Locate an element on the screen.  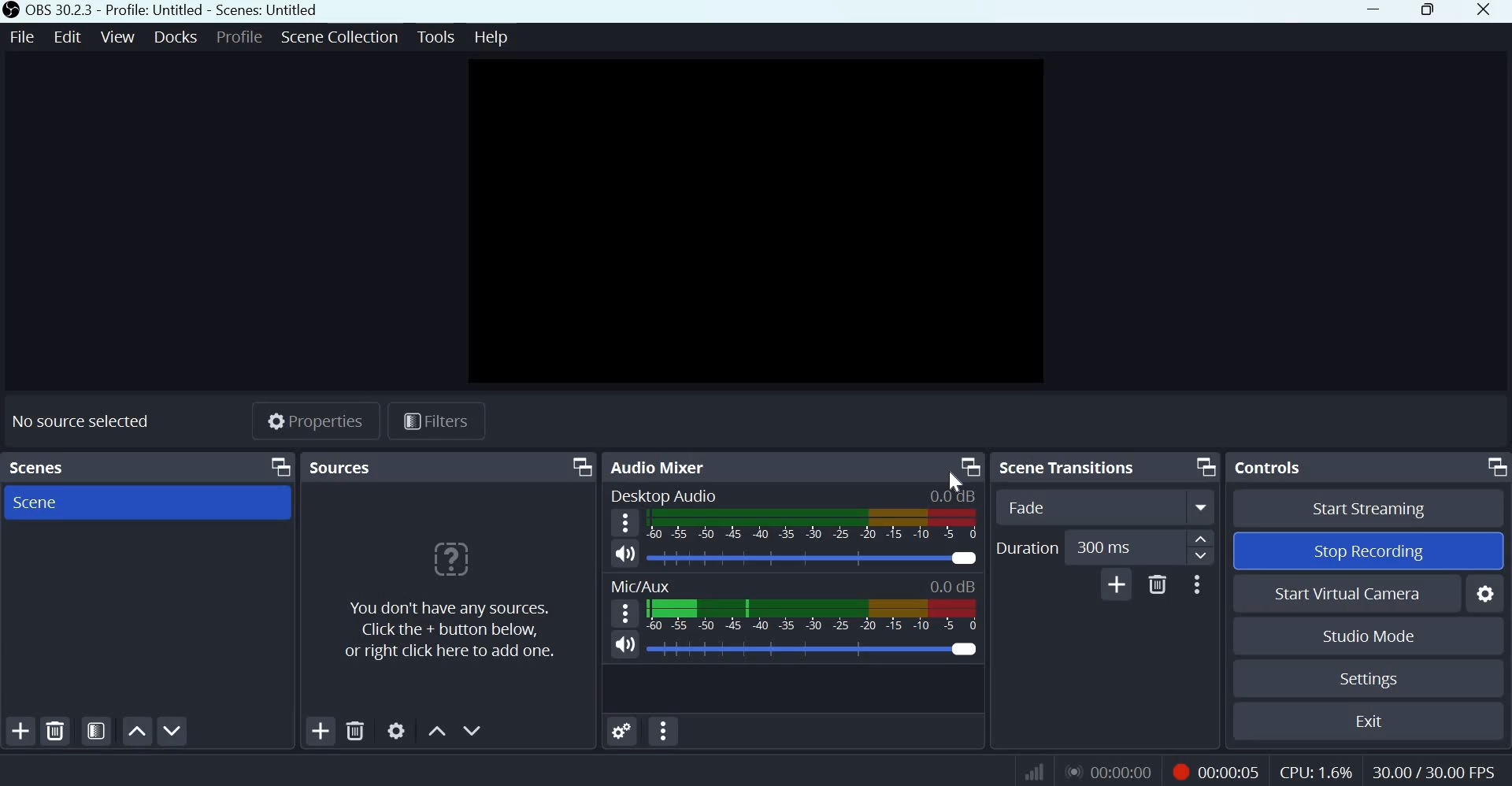
Audio level meter is located at coordinates (793, 559).